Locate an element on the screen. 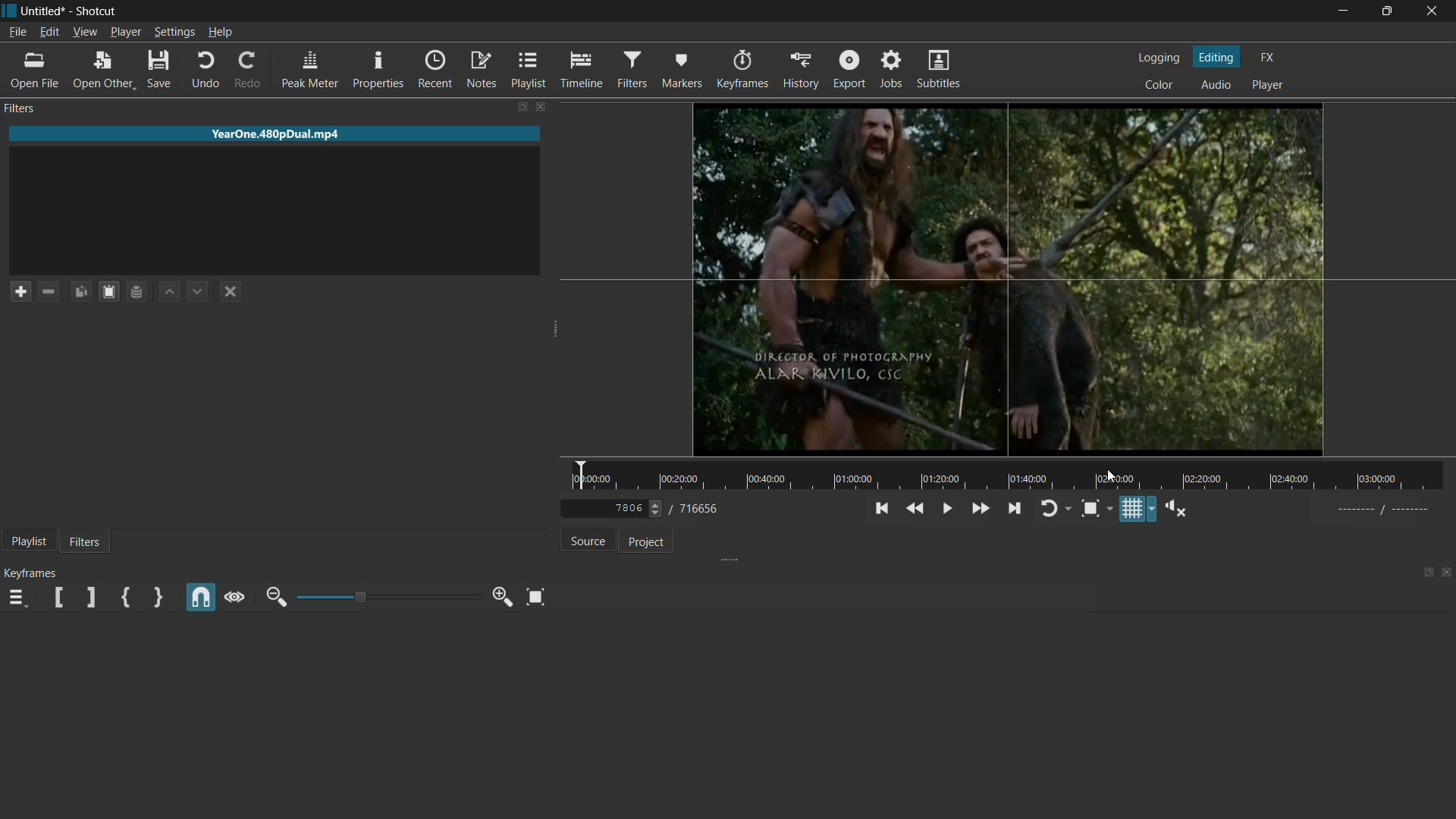 This screenshot has height=819, width=1456. edit menu is located at coordinates (49, 33).